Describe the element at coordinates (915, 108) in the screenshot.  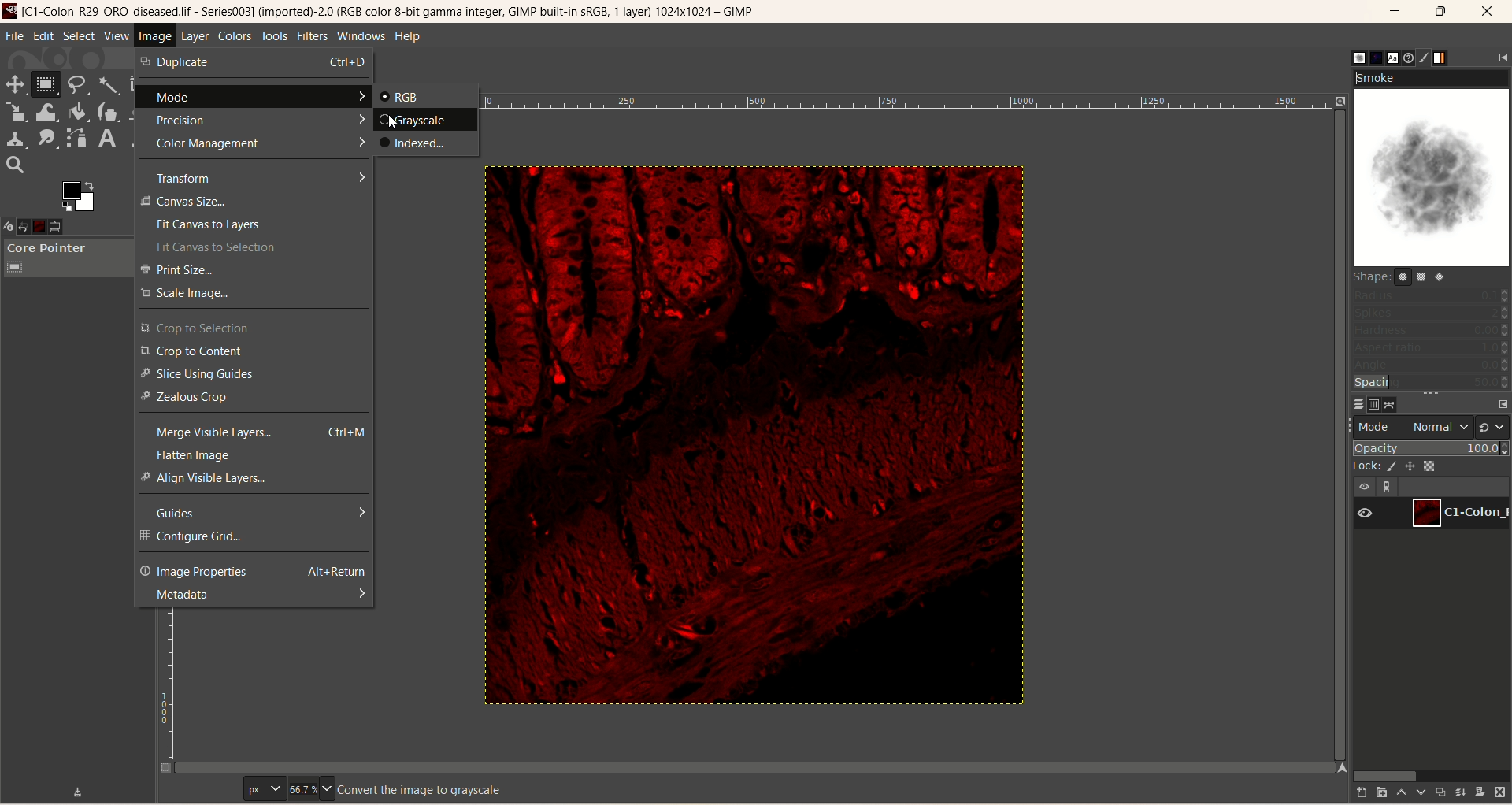
I see `scale bar` at that location.